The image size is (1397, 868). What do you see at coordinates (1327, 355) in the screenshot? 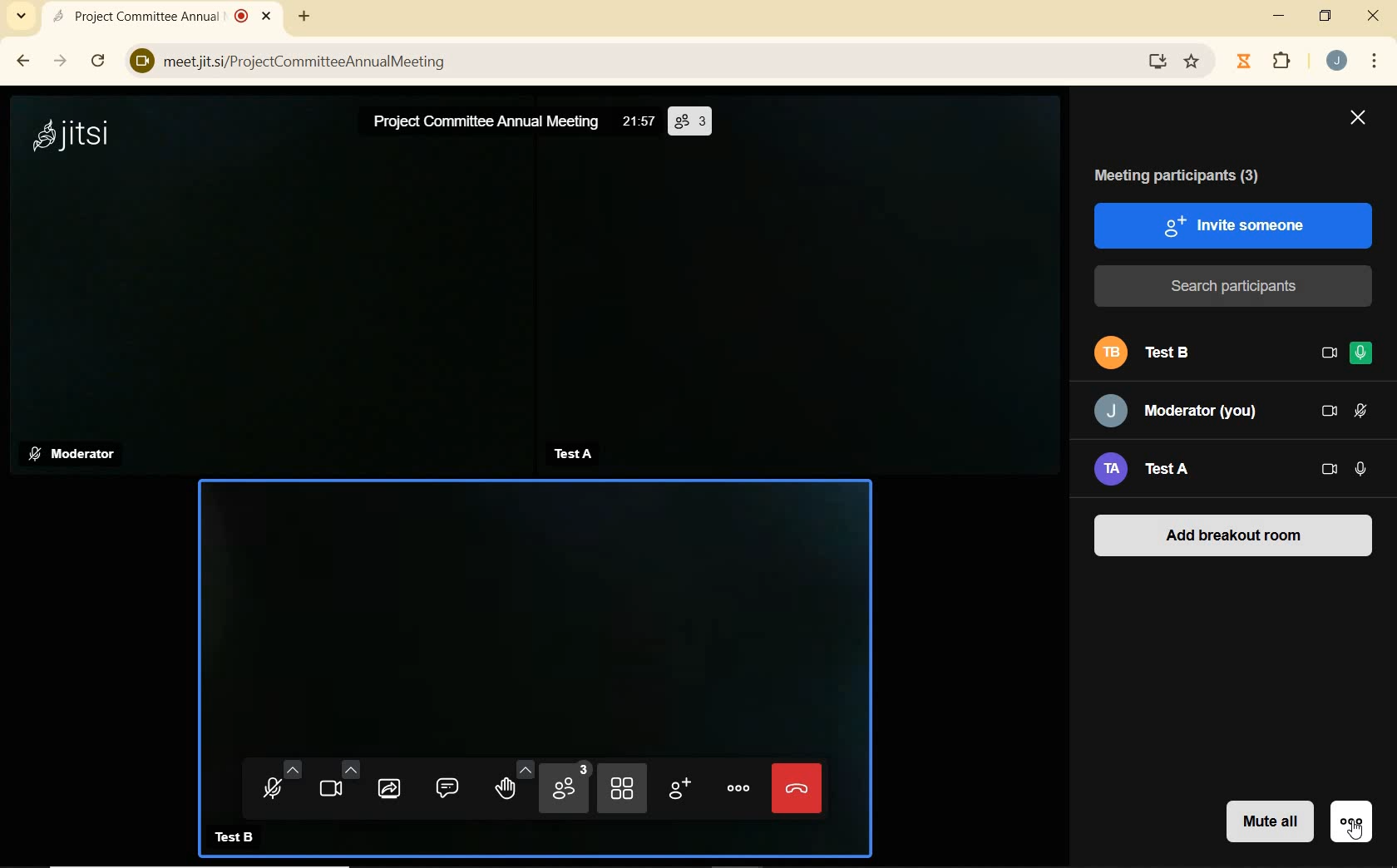
I see `CAMERA` at bounding box center [1327, 355].